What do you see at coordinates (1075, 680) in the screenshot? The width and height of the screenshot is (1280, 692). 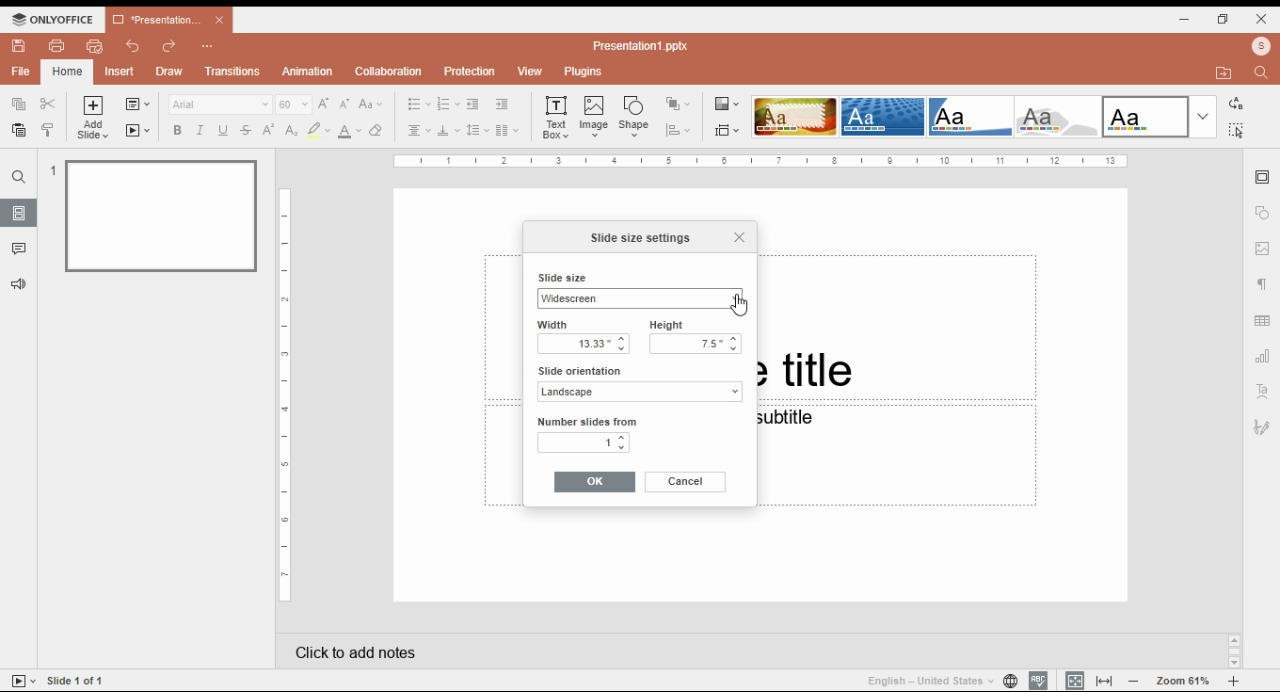 I see `fit to slide` at bounding box center [1075, 680].